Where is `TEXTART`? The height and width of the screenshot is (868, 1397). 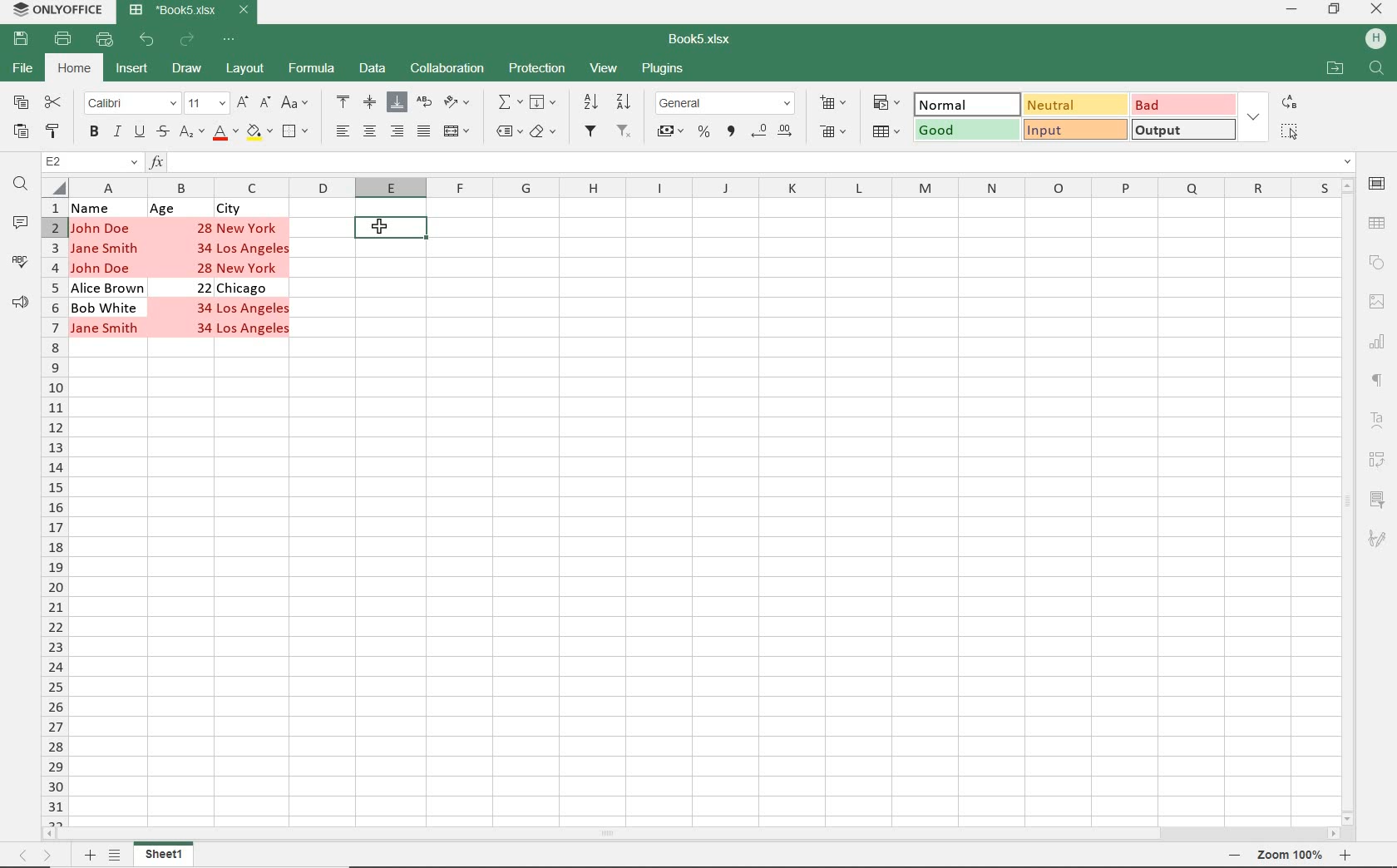 TEXTART is located at coordinates (1375, 421).